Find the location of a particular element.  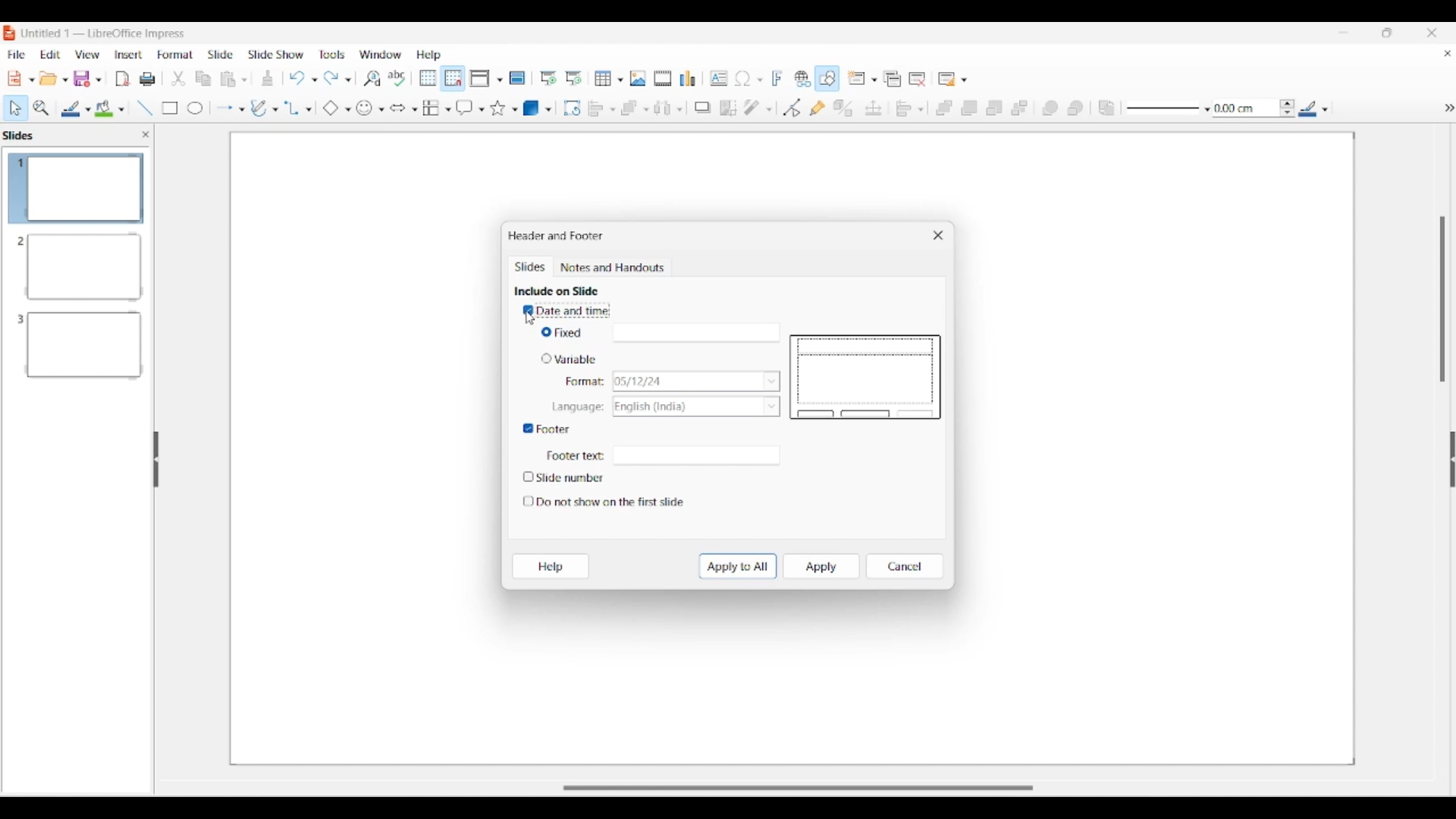

Slide layout is located at coordinates (954, 79).